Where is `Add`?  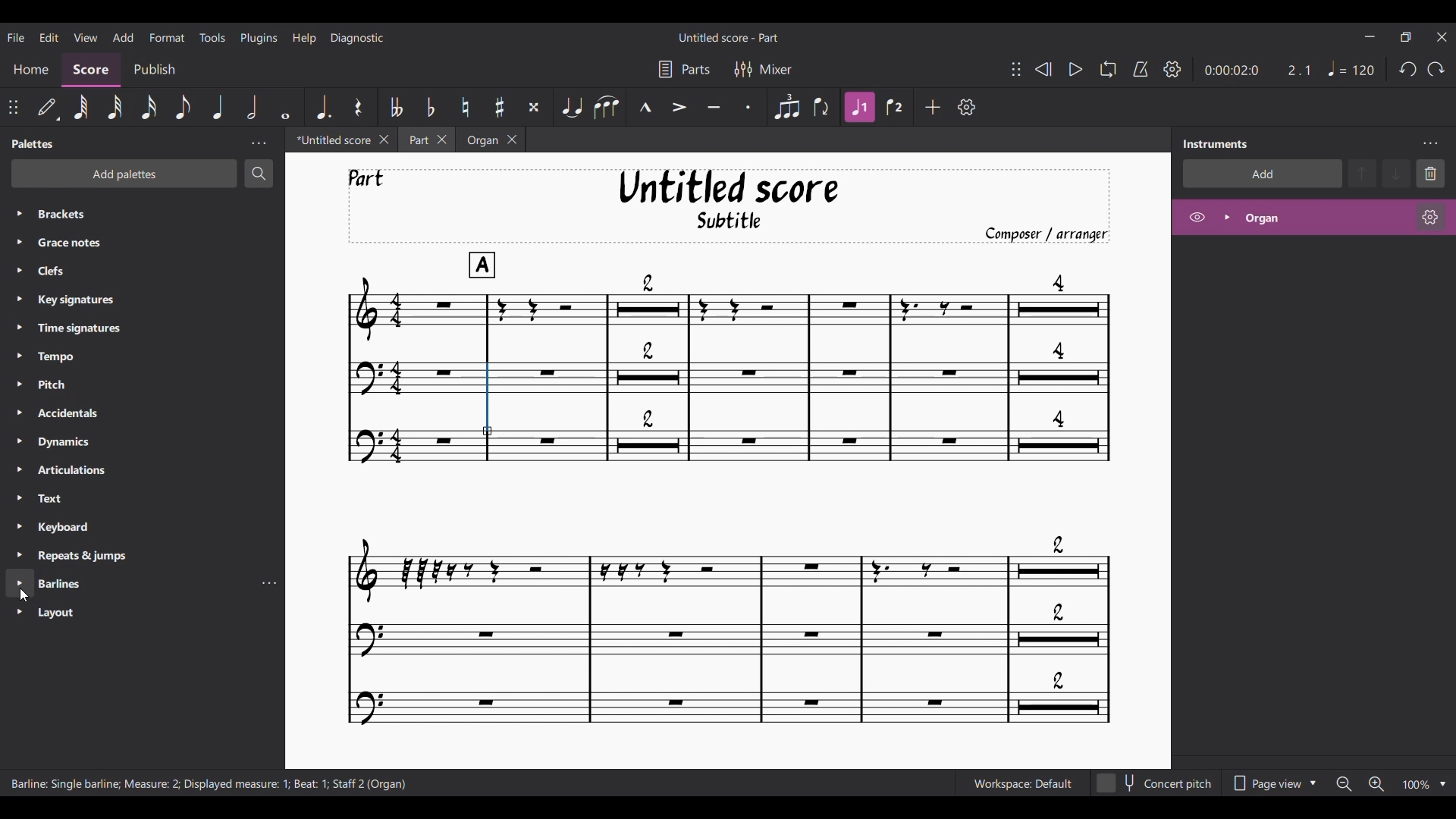 Add is located at coordinates (933, 107).